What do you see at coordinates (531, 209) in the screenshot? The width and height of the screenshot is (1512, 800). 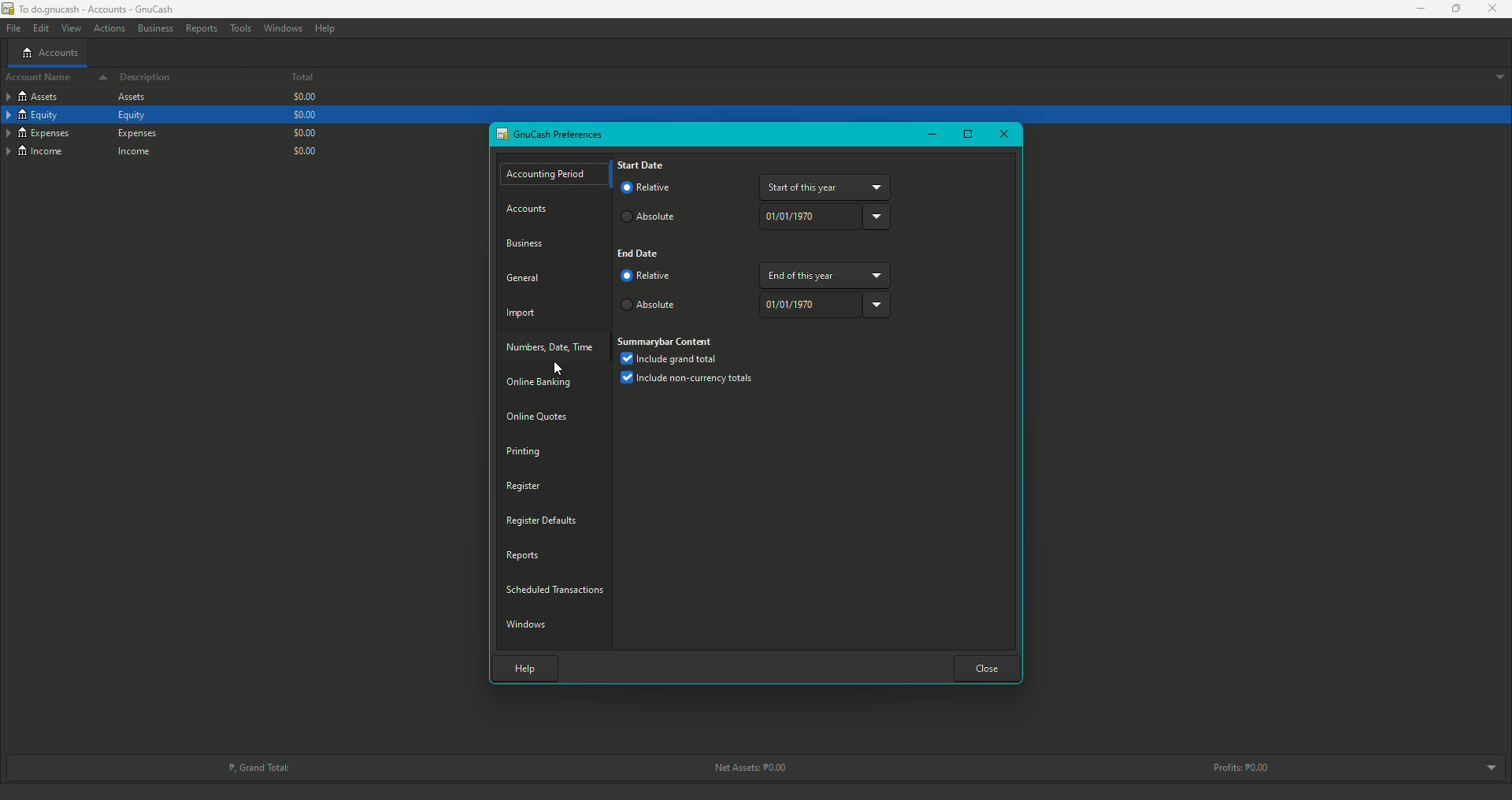 I see `Accounts` at bounding box center [531, 209].